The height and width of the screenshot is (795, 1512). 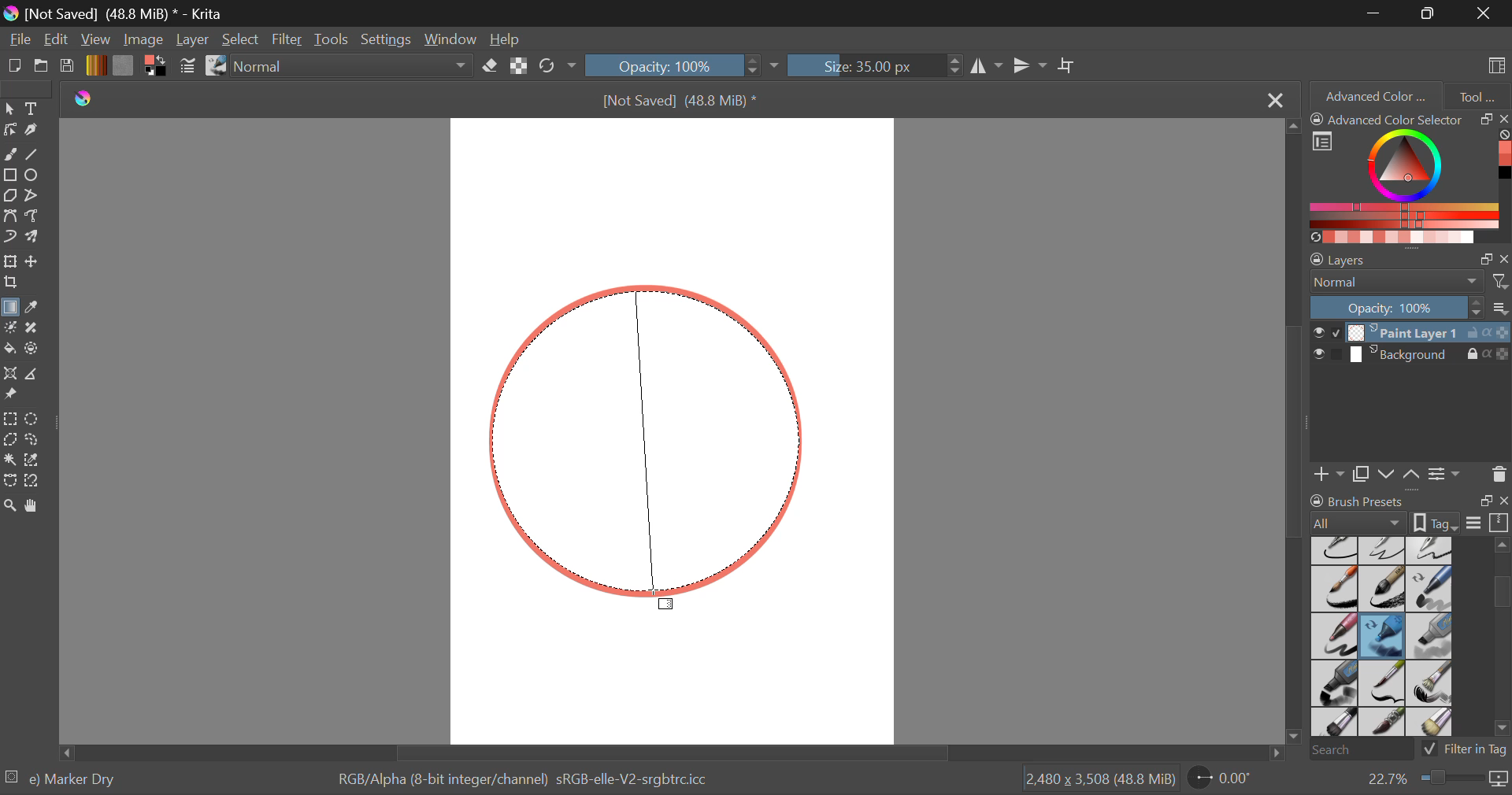 What do you see at coordinates (11, 154) in the screenshot?
I see `Freehand` at bounding box center [11, 154].